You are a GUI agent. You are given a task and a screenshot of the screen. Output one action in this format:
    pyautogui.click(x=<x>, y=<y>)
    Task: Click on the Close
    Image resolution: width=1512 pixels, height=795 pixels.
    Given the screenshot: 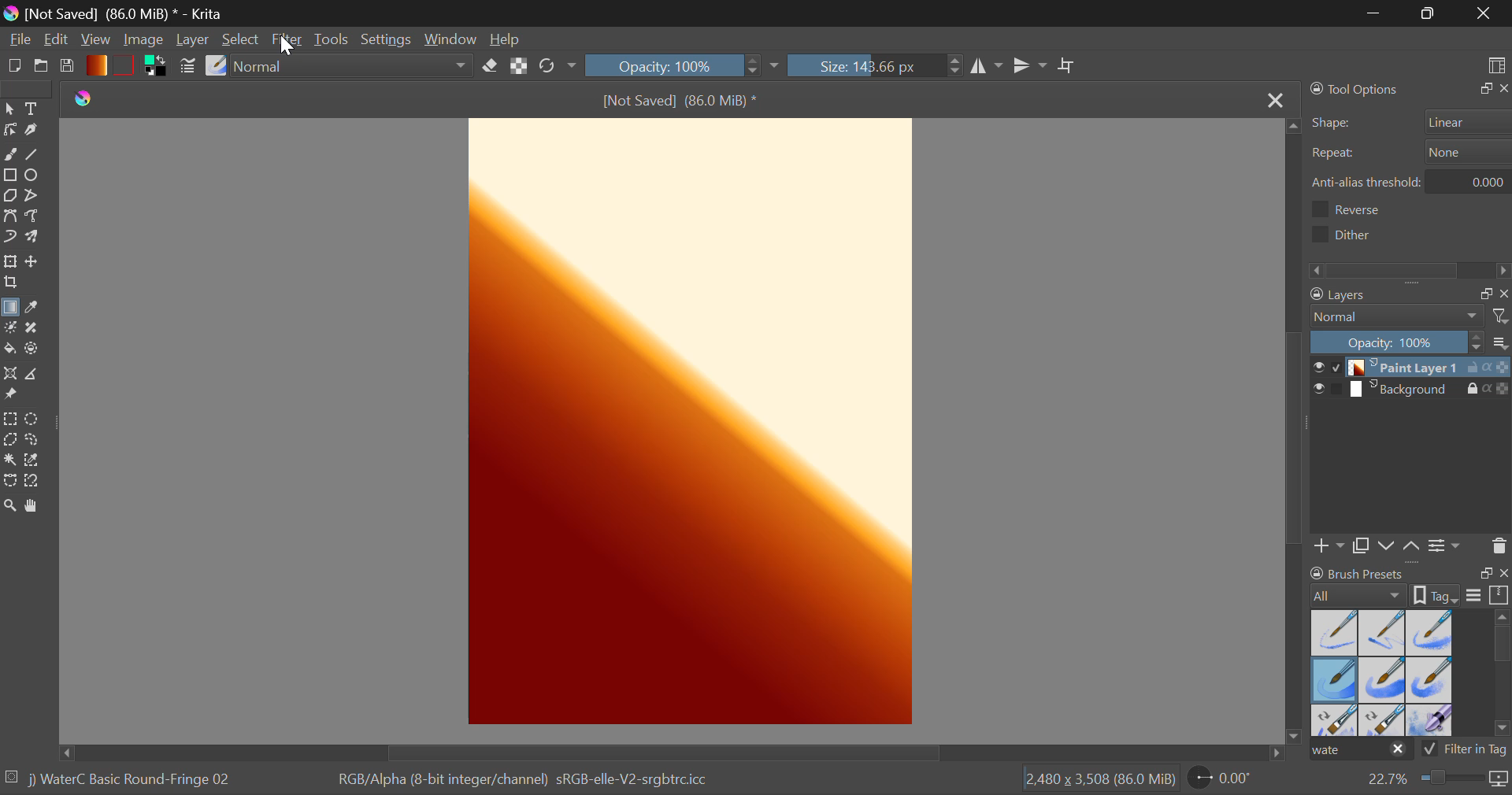 What is the action you would take?
    pyautogui.click(x=1484, y=13)
    